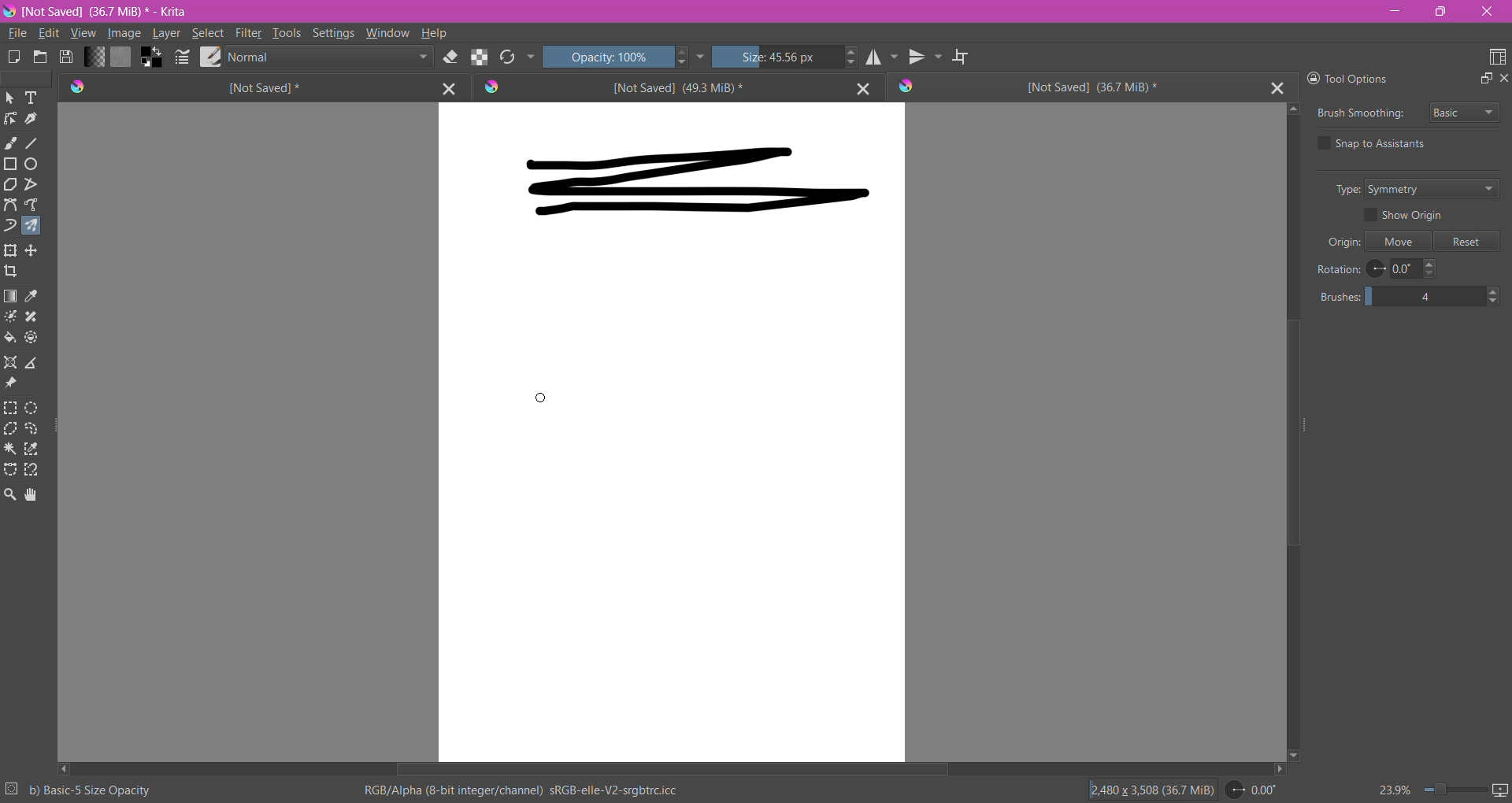 The height and width of the screenshot is (803, 1512). Describe the element at coordinates (48, 33) in the screenshot. I see `Edit` at that location.